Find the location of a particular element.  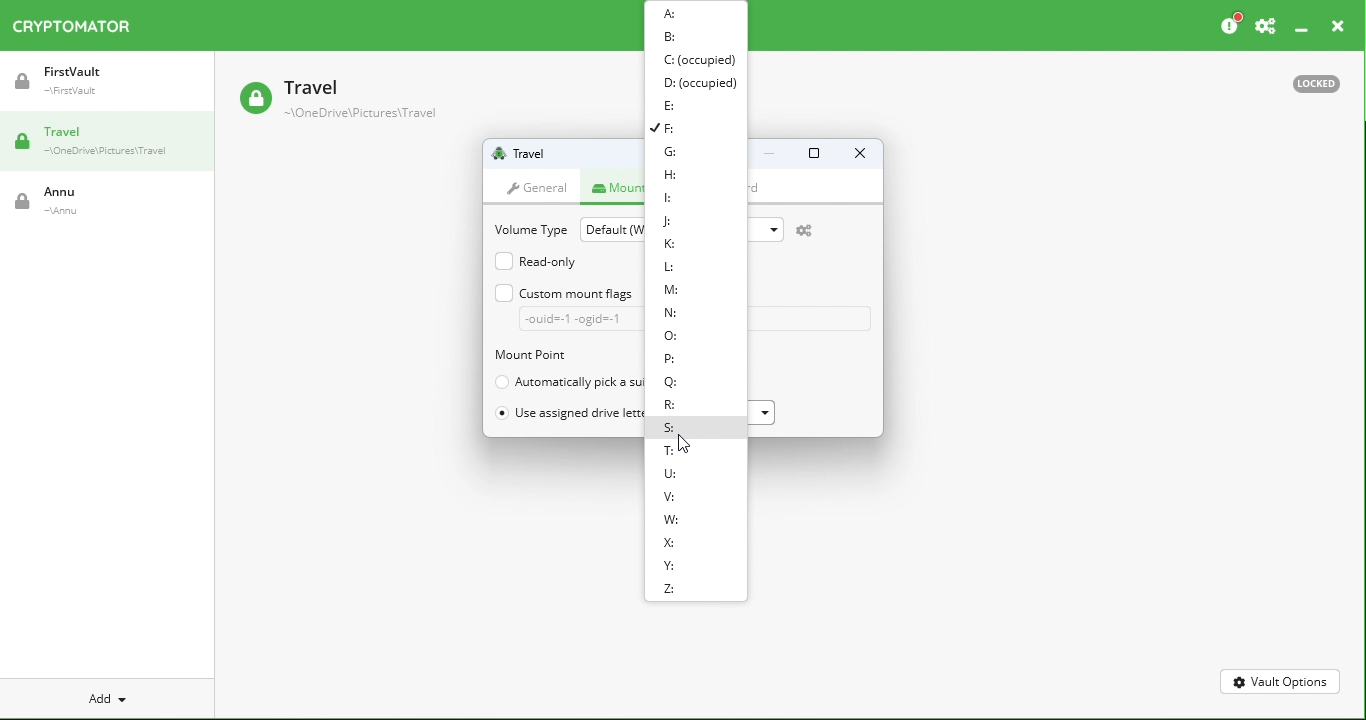

Close is located at coordinates (858, 155).